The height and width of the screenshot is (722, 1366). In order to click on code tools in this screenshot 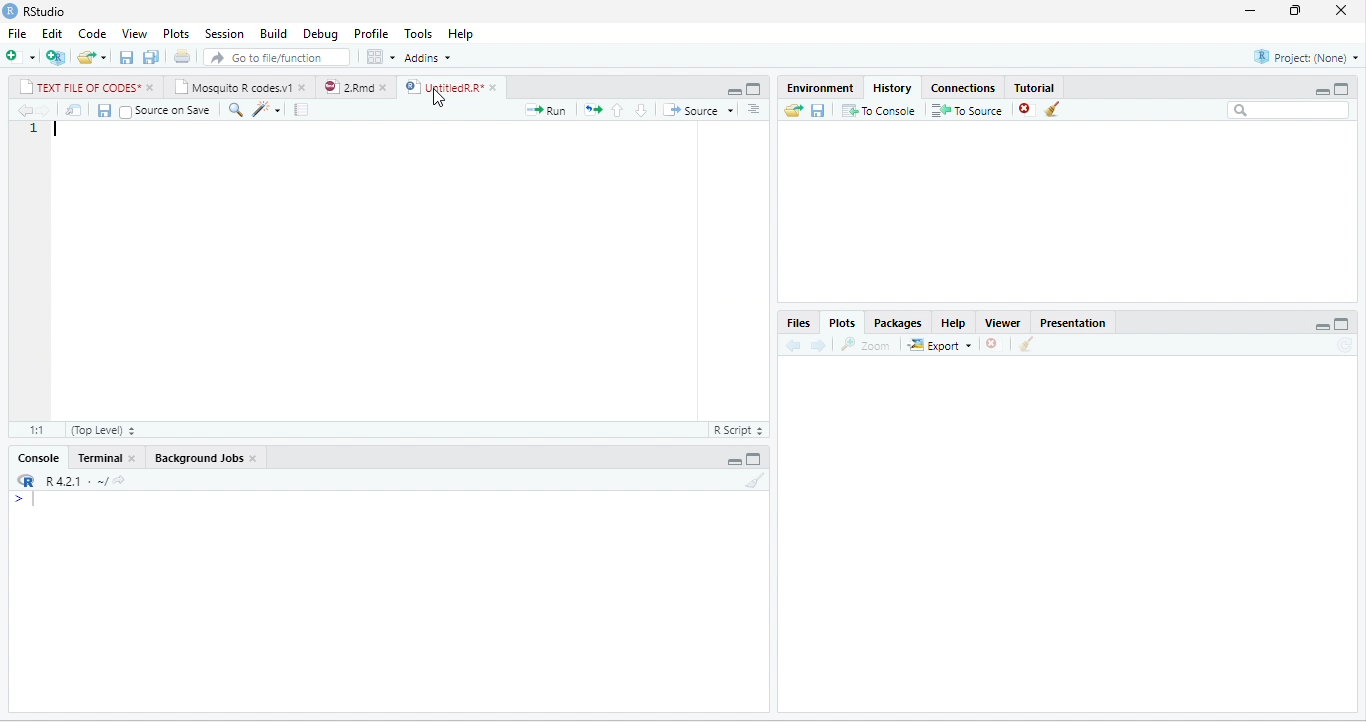, I will do `click(267, 109)`.